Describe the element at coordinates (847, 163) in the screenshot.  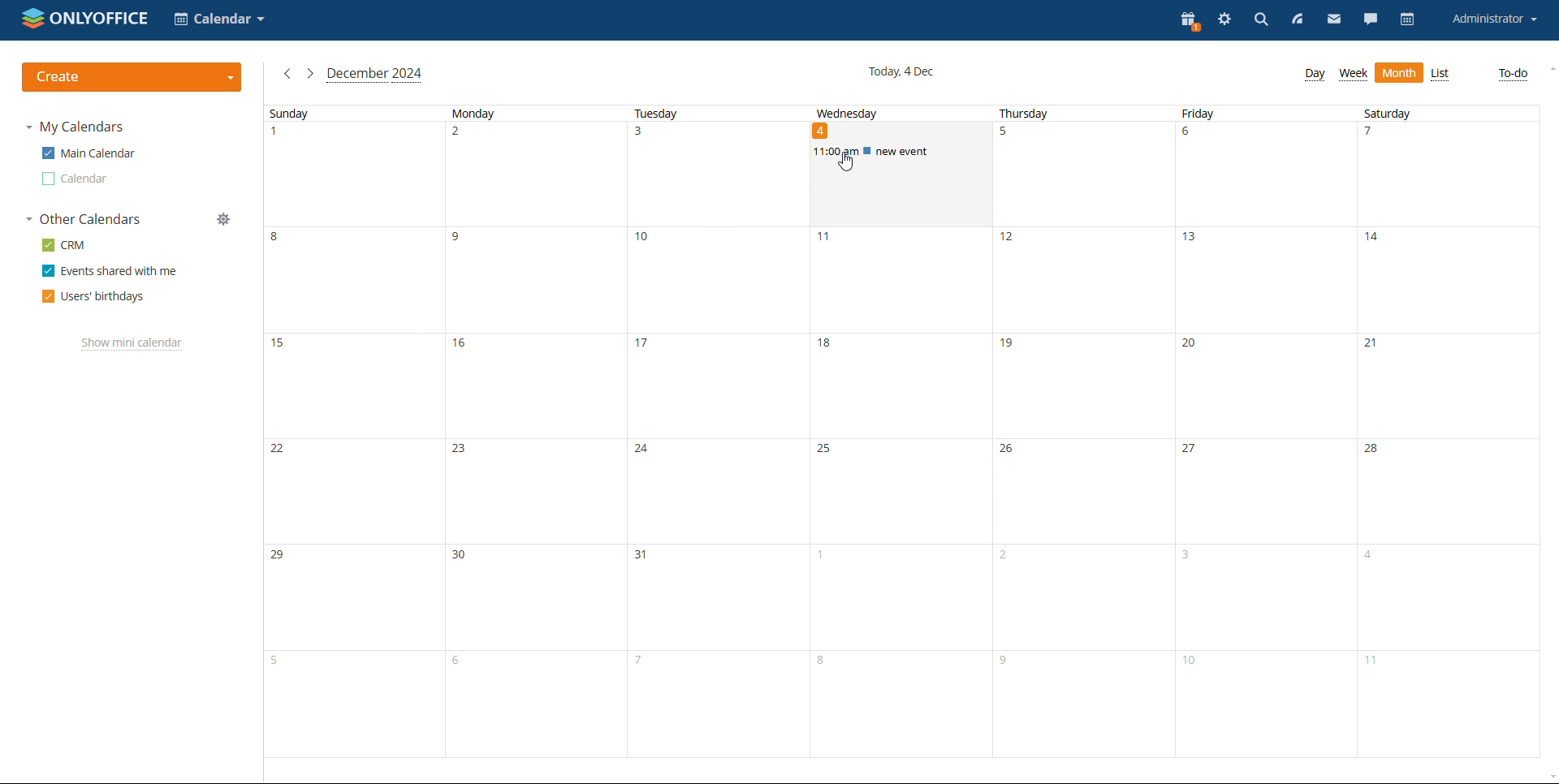
I see `cursor` at that location.